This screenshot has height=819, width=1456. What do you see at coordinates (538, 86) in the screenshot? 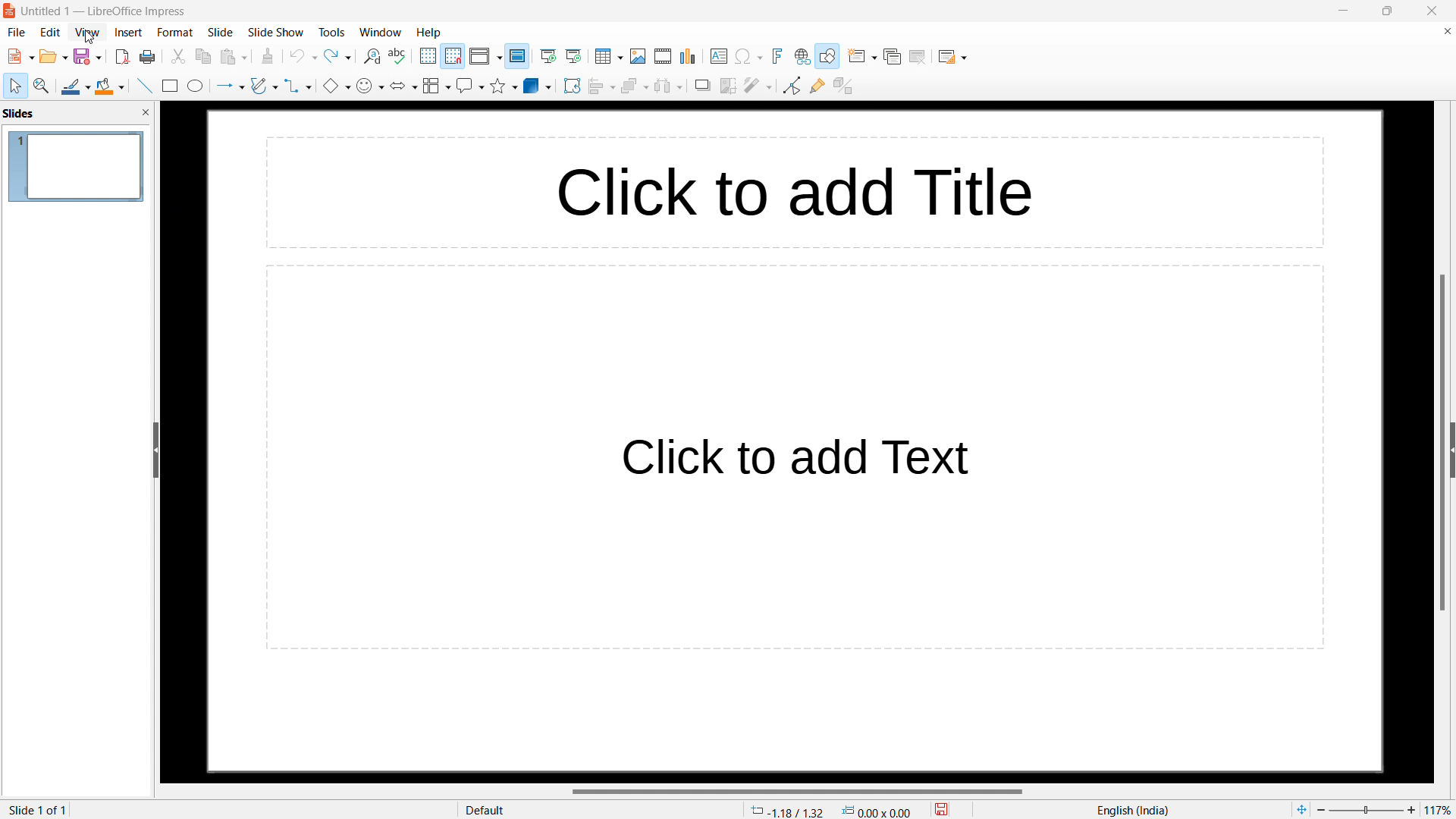
I see `3D objects` at bounding box center [538, 86].